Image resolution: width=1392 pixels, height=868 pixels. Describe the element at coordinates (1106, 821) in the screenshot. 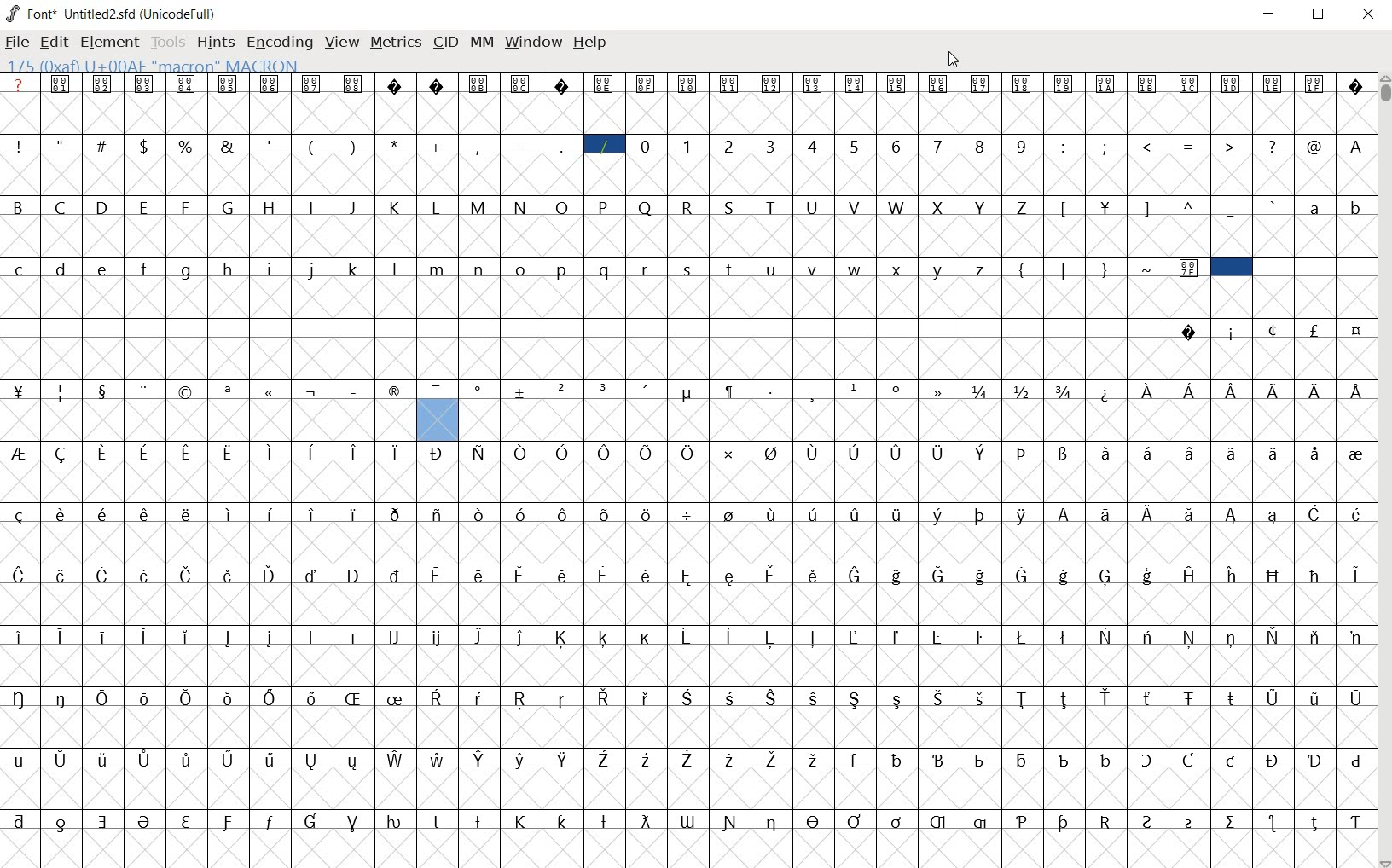

I see `Symbol` at that location.